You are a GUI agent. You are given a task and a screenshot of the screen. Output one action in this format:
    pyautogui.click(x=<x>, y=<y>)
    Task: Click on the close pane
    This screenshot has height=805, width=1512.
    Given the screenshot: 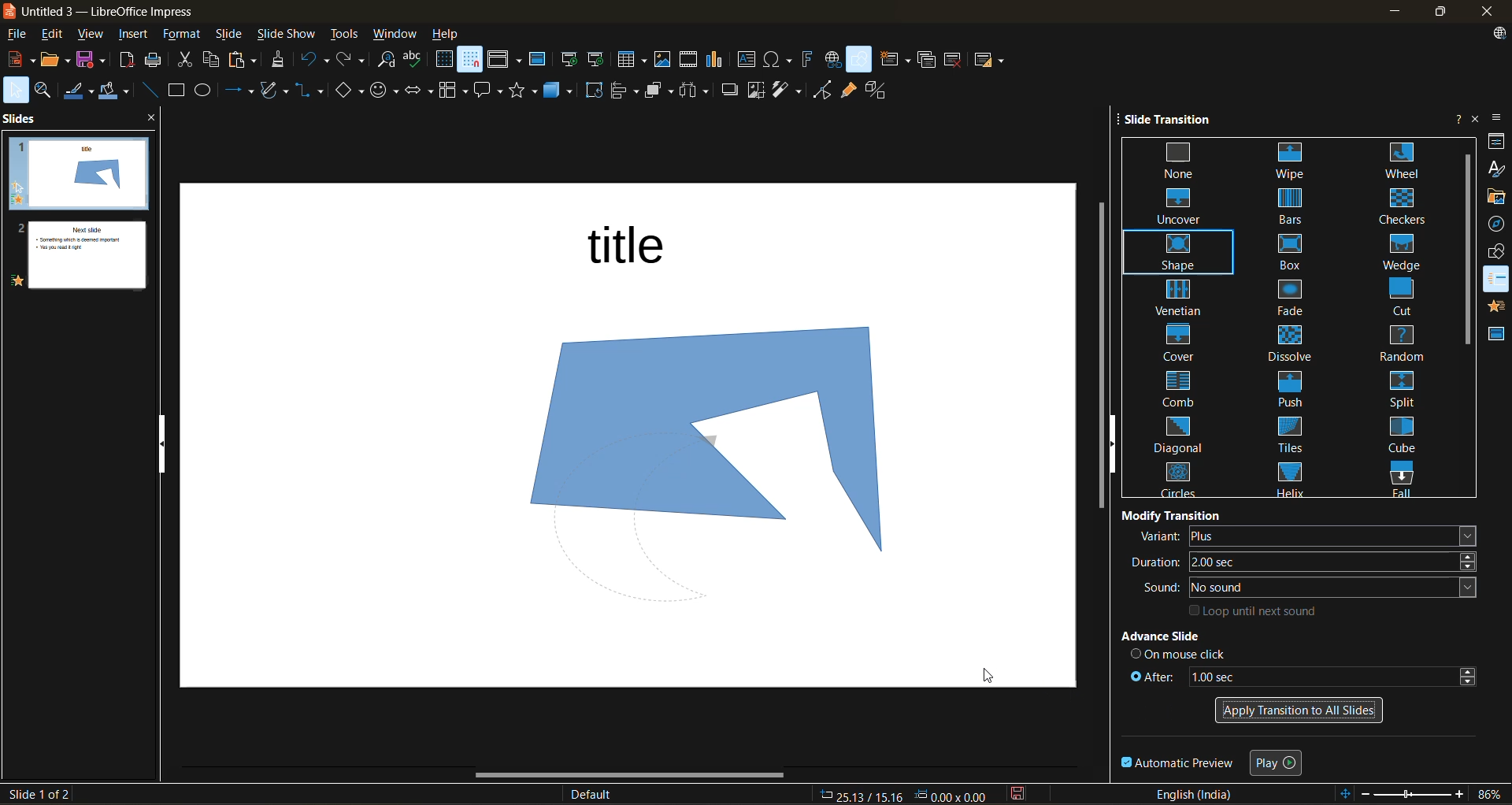 What is the action you would take?
    pyautogui.click(x=154, y=121)
    